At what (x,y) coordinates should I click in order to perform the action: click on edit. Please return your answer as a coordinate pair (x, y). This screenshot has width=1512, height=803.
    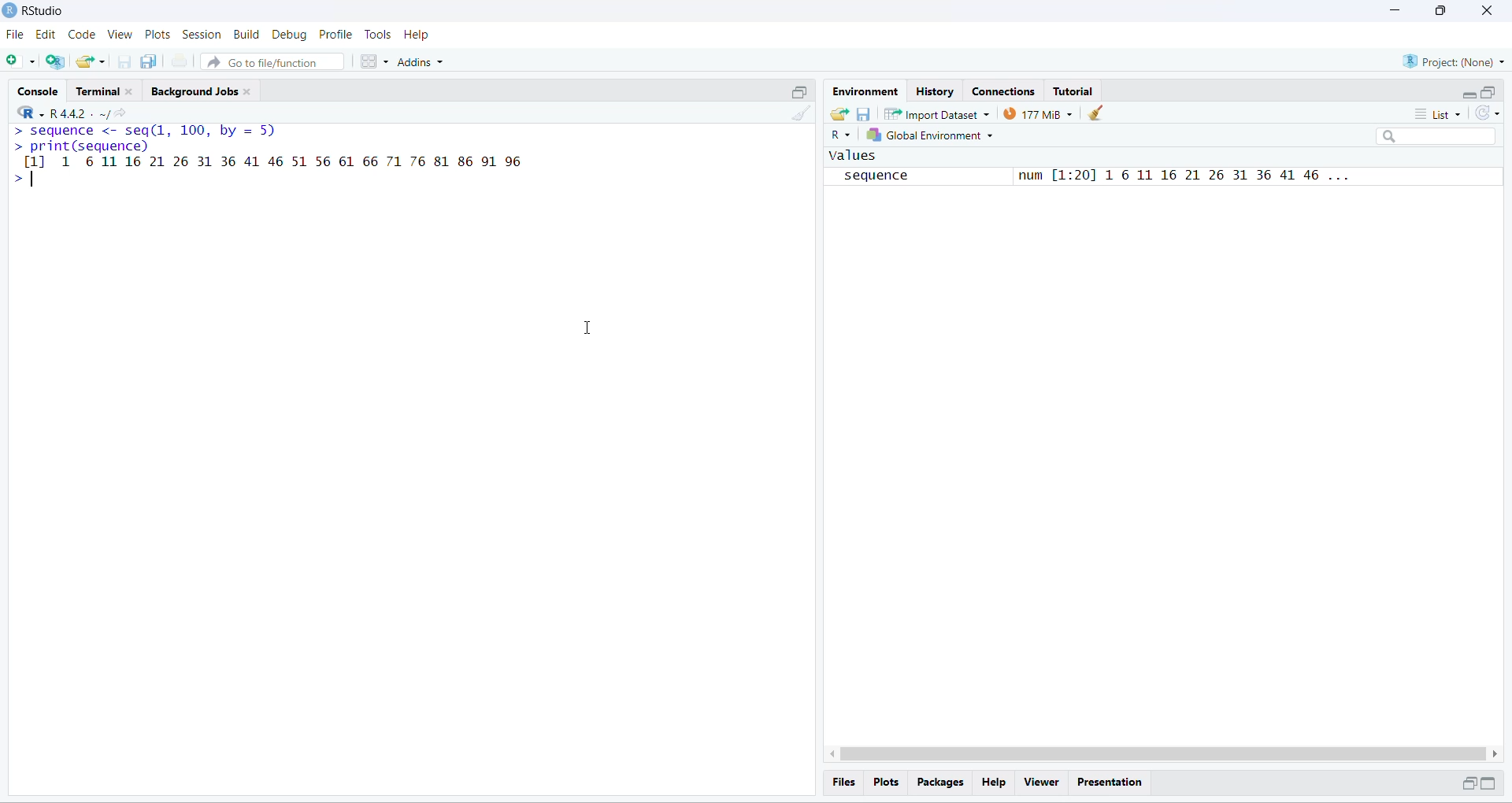
    Looking at the image, I should click on (46, 35).